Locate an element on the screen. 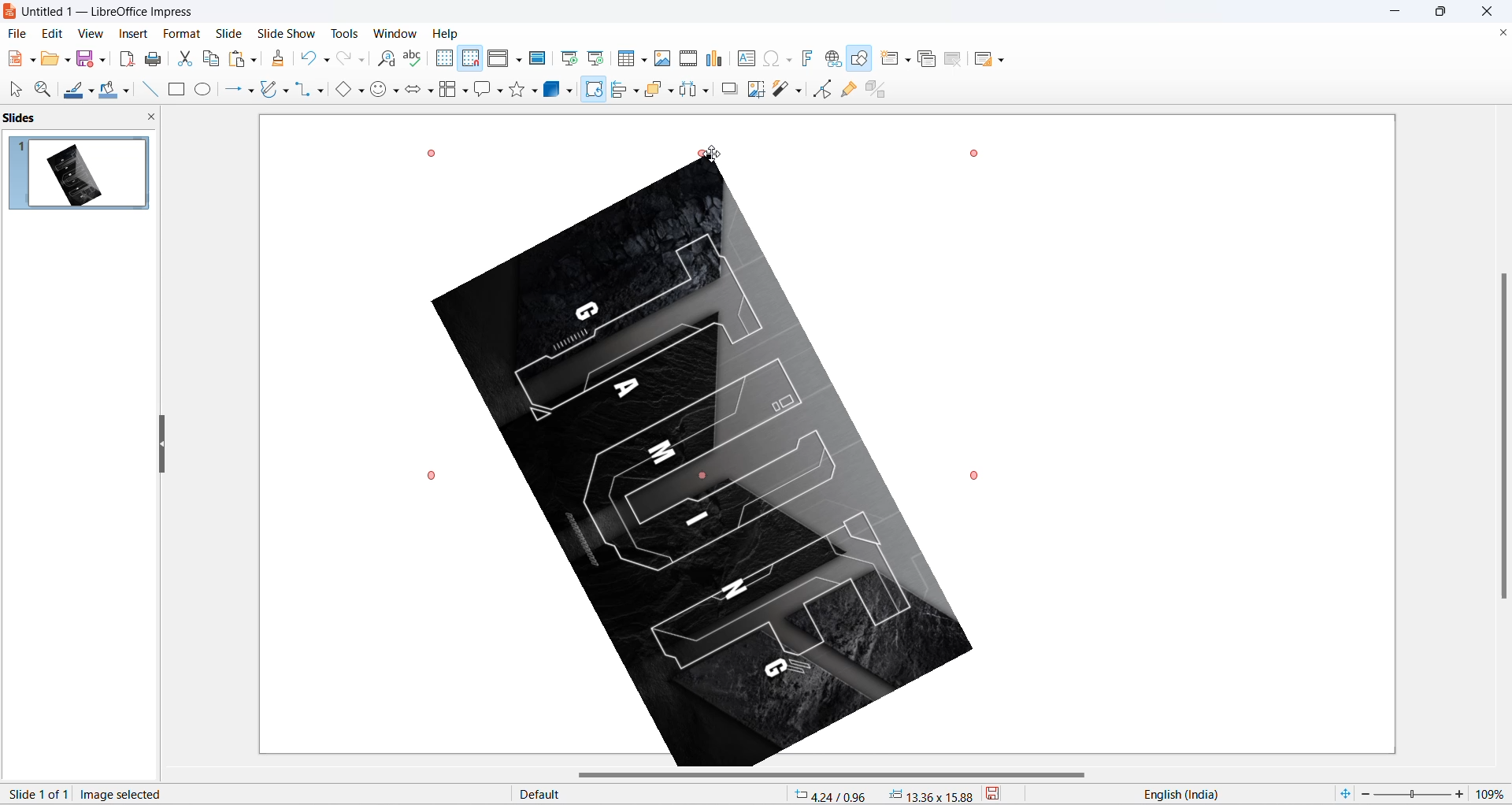 The width and height of the screenshot is (1512, 805). distribute object is located at coordinates (710, 92).